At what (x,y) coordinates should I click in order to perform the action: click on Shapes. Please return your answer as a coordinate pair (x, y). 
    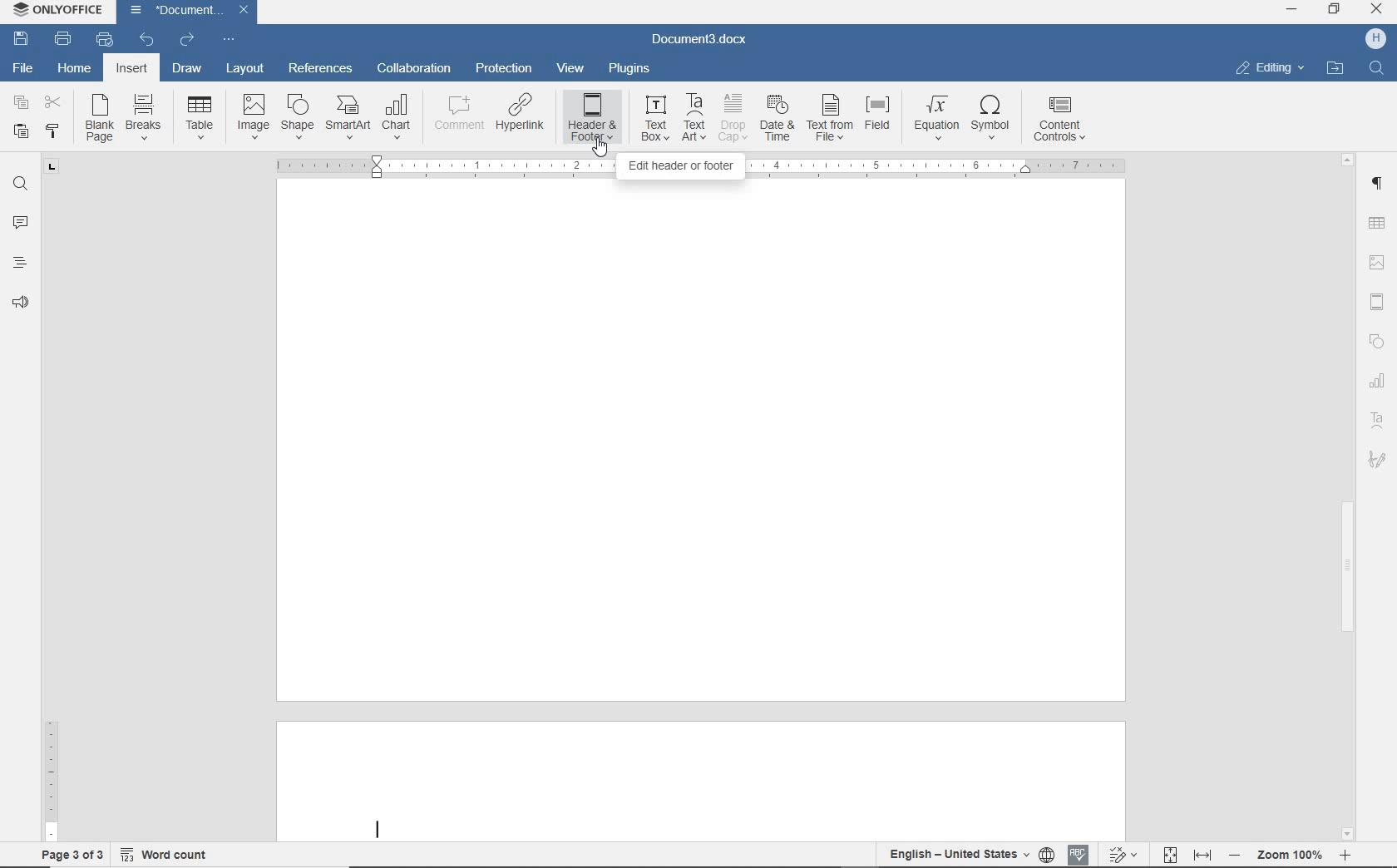
    Looking at the image, I should click on (1381, 343).